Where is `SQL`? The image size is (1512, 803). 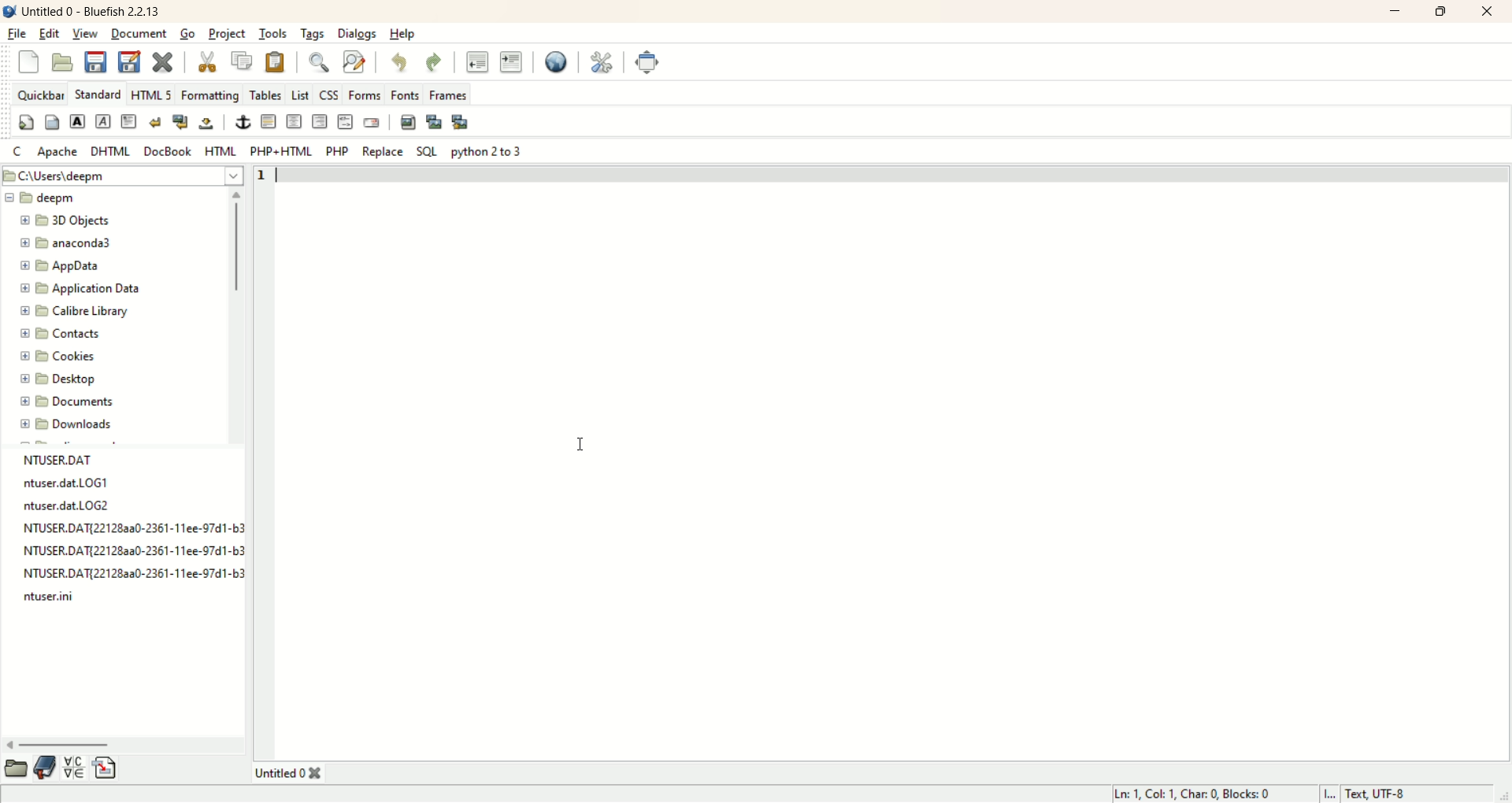
SQL is located at coordinates (423, 152).